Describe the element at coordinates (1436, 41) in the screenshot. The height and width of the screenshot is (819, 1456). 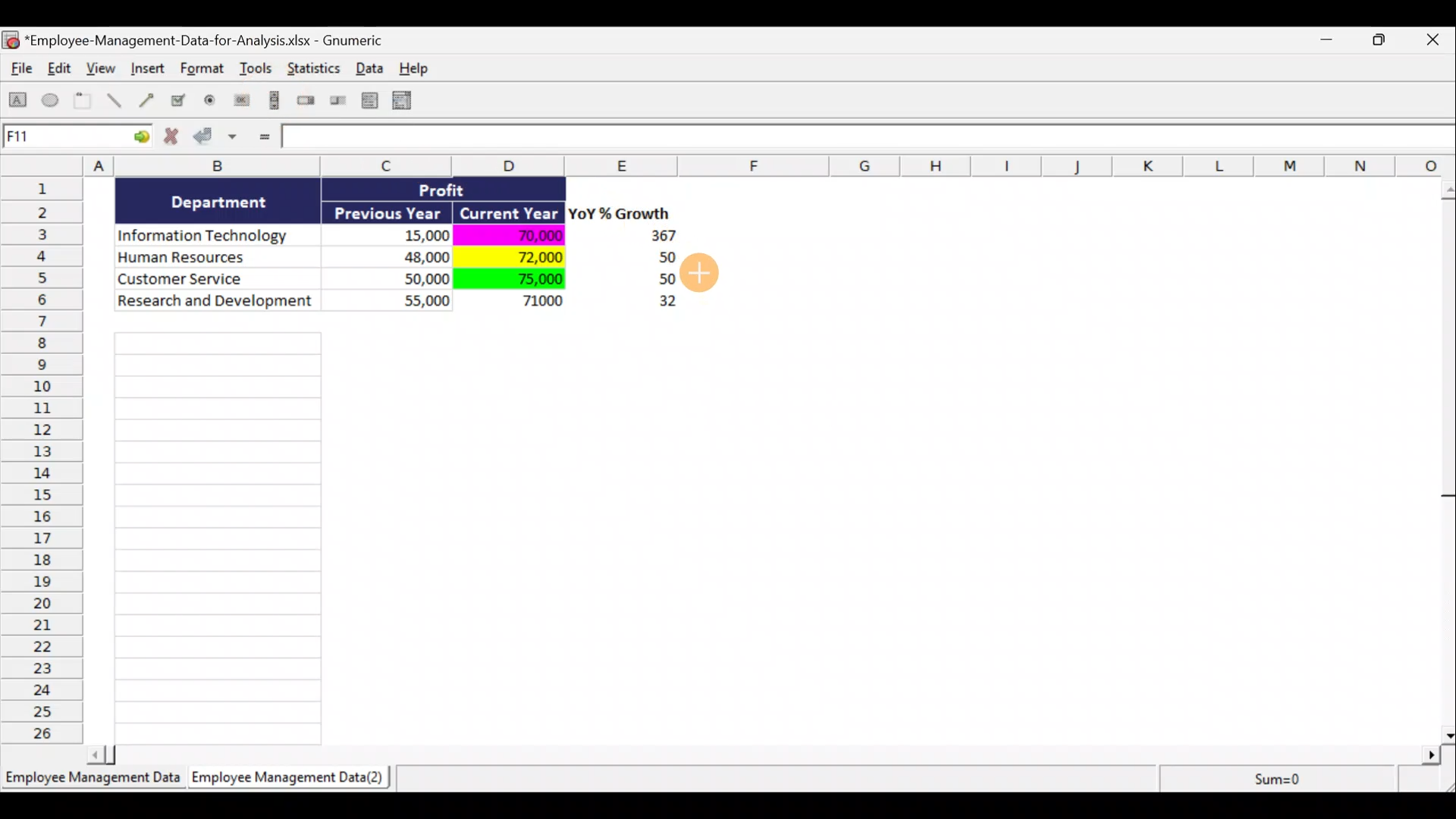
I see `Close` at that location.